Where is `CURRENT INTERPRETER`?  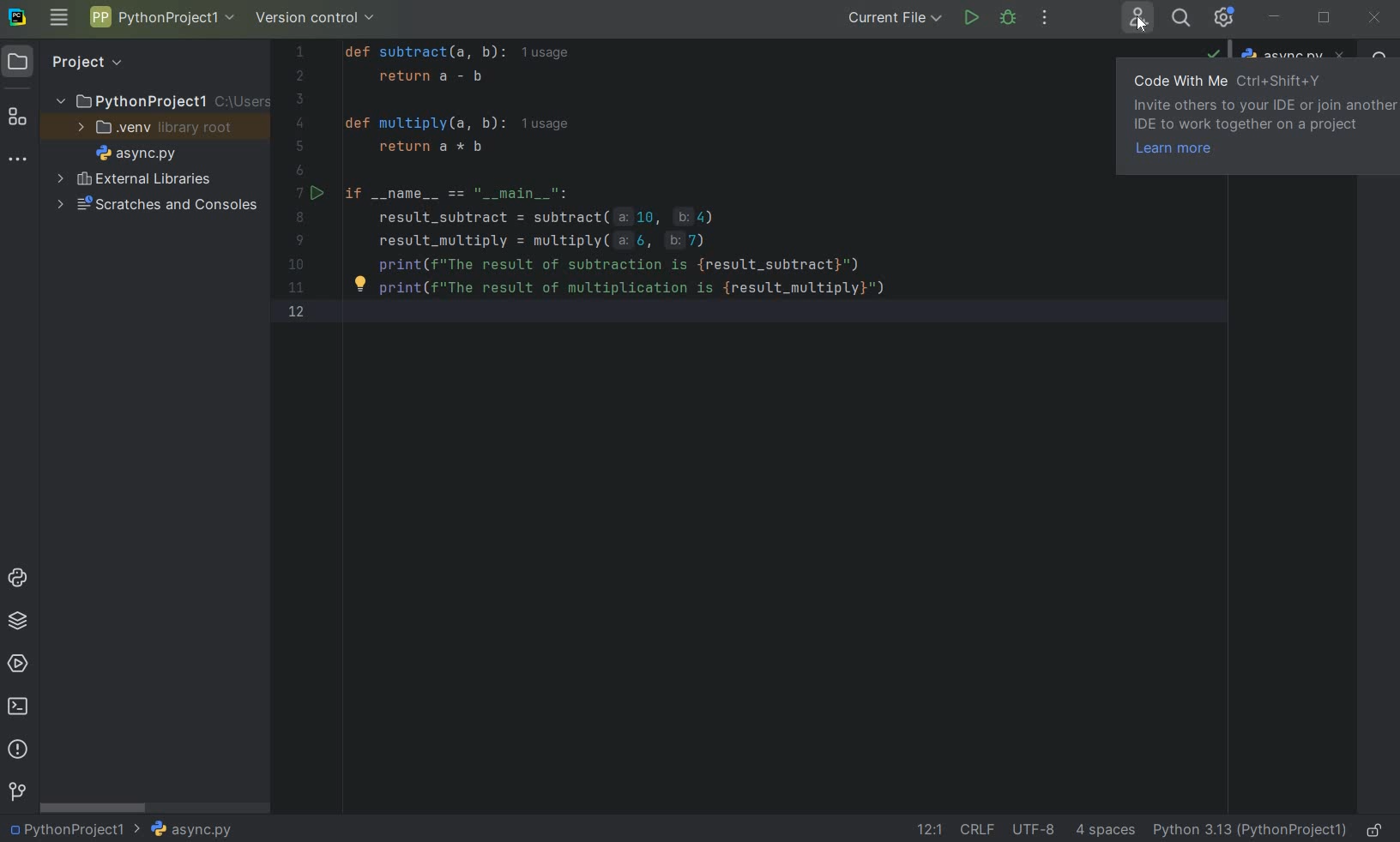
CURRENT INTERPRETER is located at coordinates (1249, 829).